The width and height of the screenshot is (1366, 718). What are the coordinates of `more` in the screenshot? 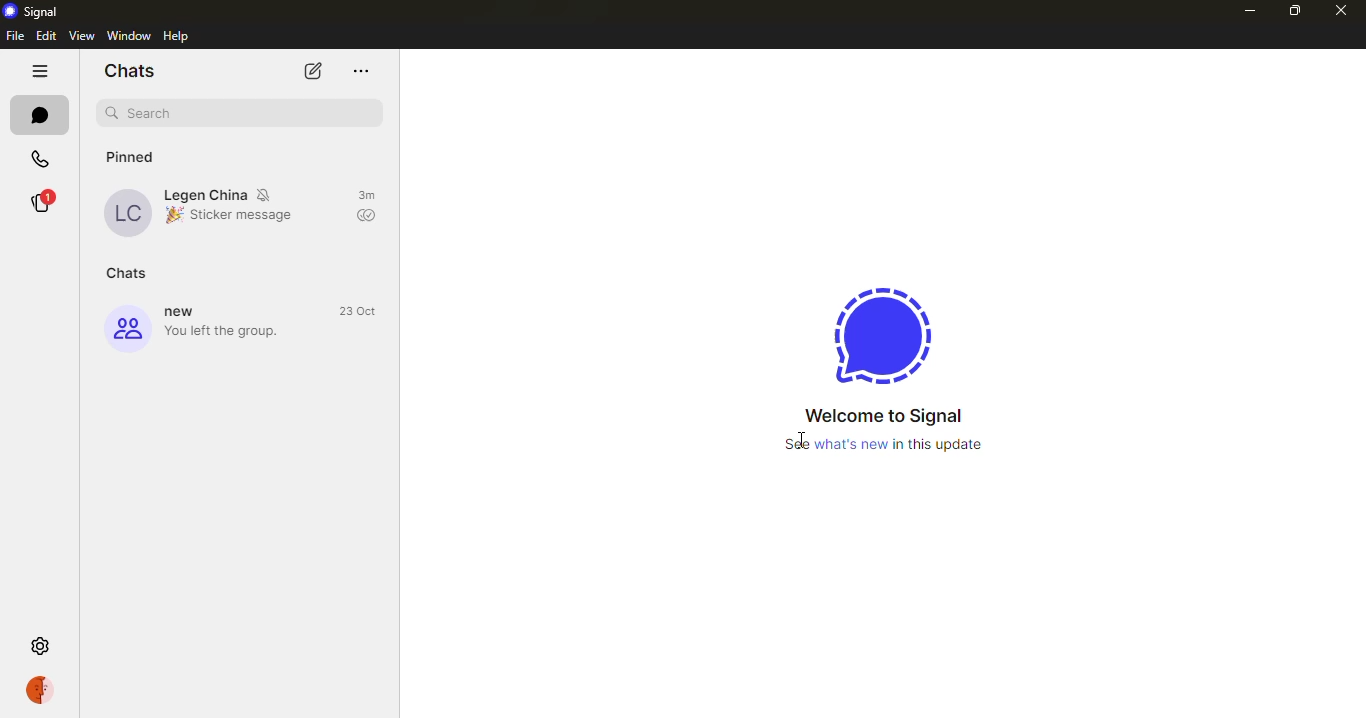 It's located at (365, 71).